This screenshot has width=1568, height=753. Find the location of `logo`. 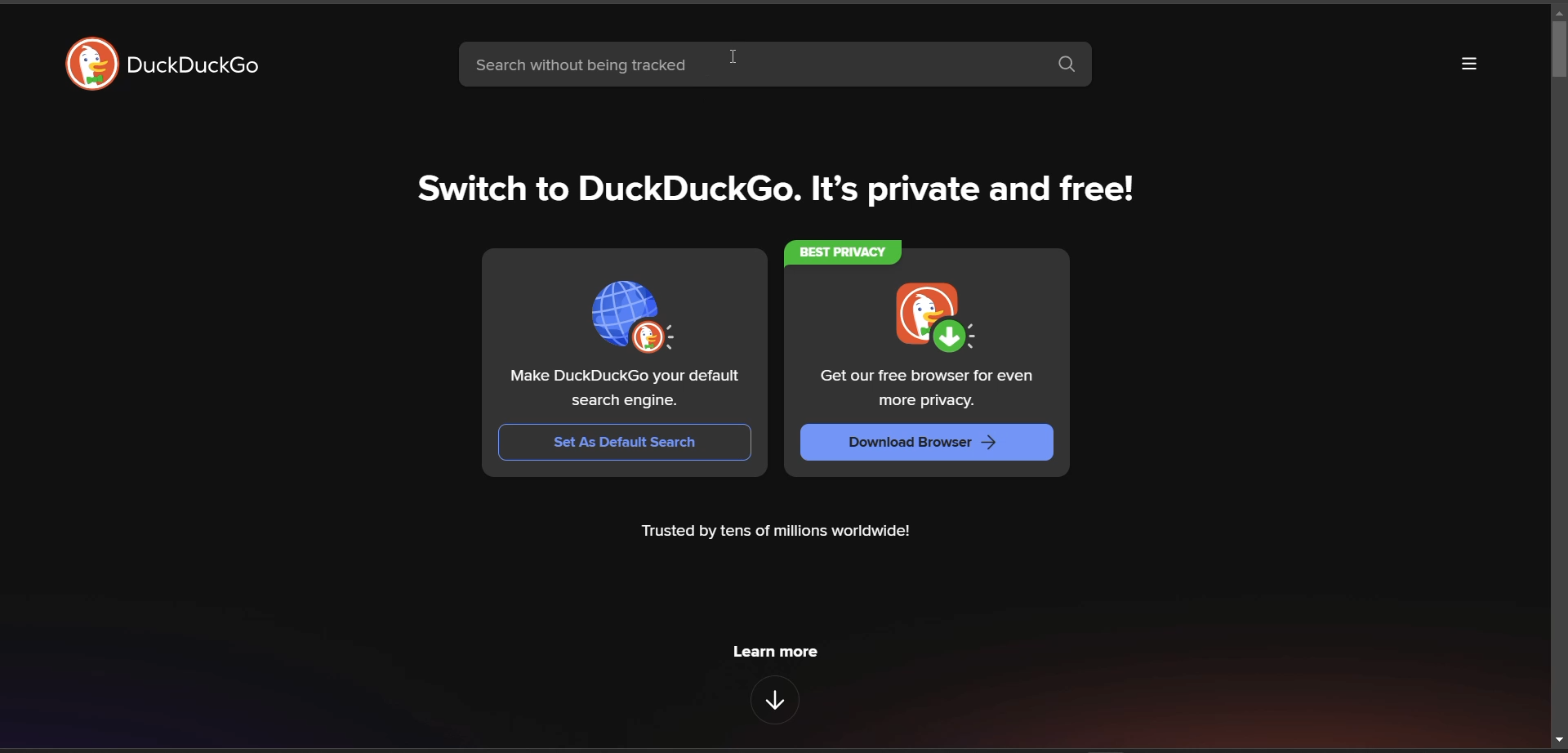

logo is located at coordinates (638, 315).